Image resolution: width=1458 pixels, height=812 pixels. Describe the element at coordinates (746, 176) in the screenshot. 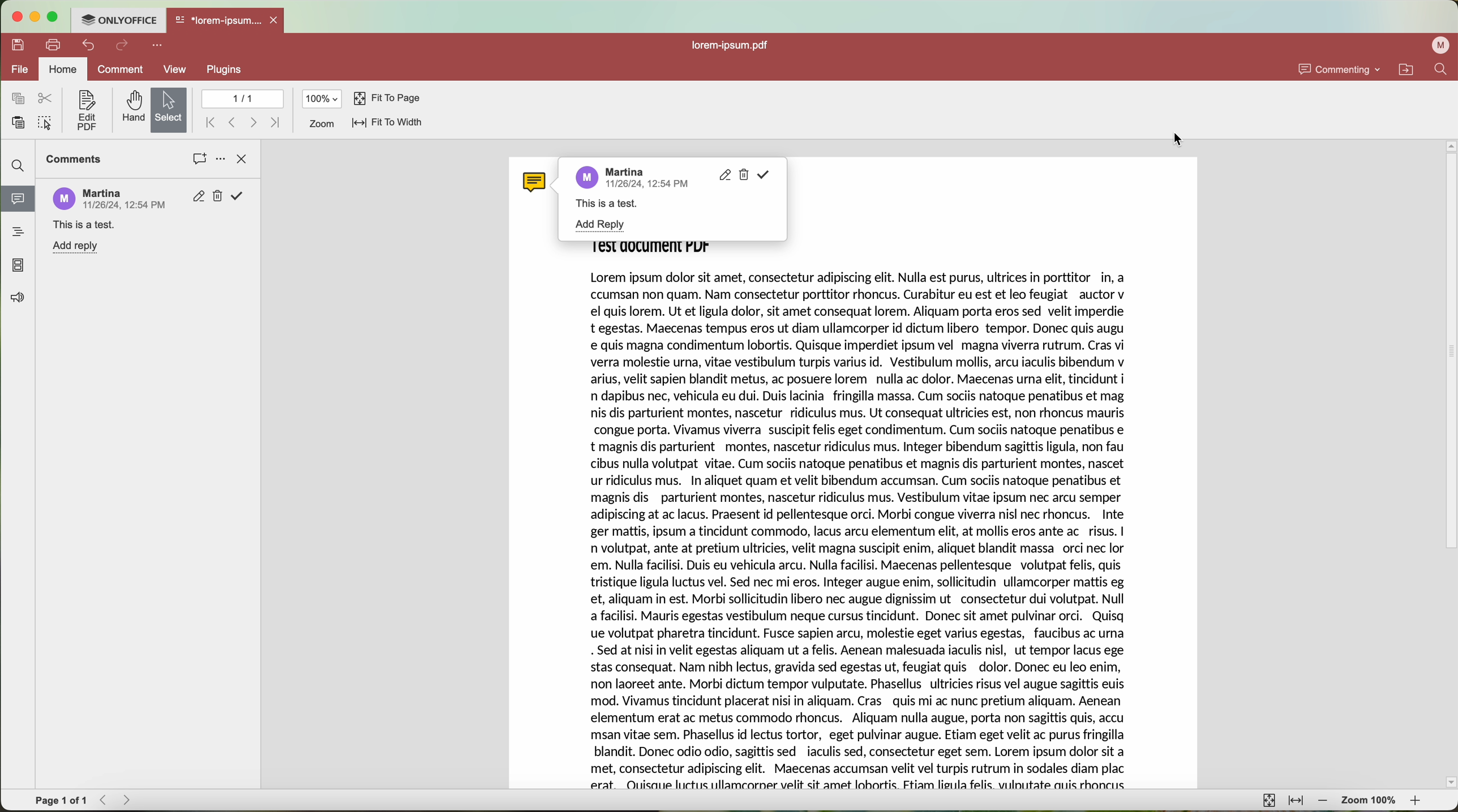

I see `delete` at that location.